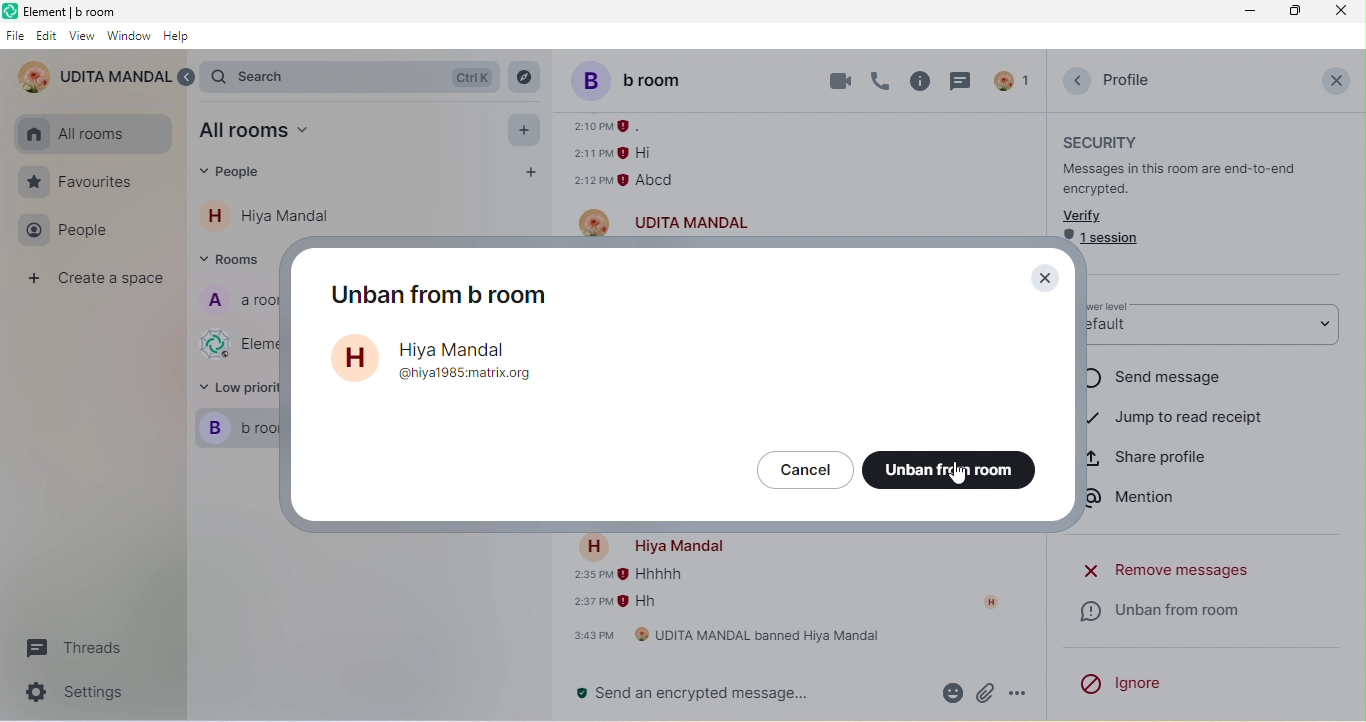 The width and height of the screenshot is (1366, 722). Describe the element at coordinates (999, 603) in the screenshot. I see `account` at that location.